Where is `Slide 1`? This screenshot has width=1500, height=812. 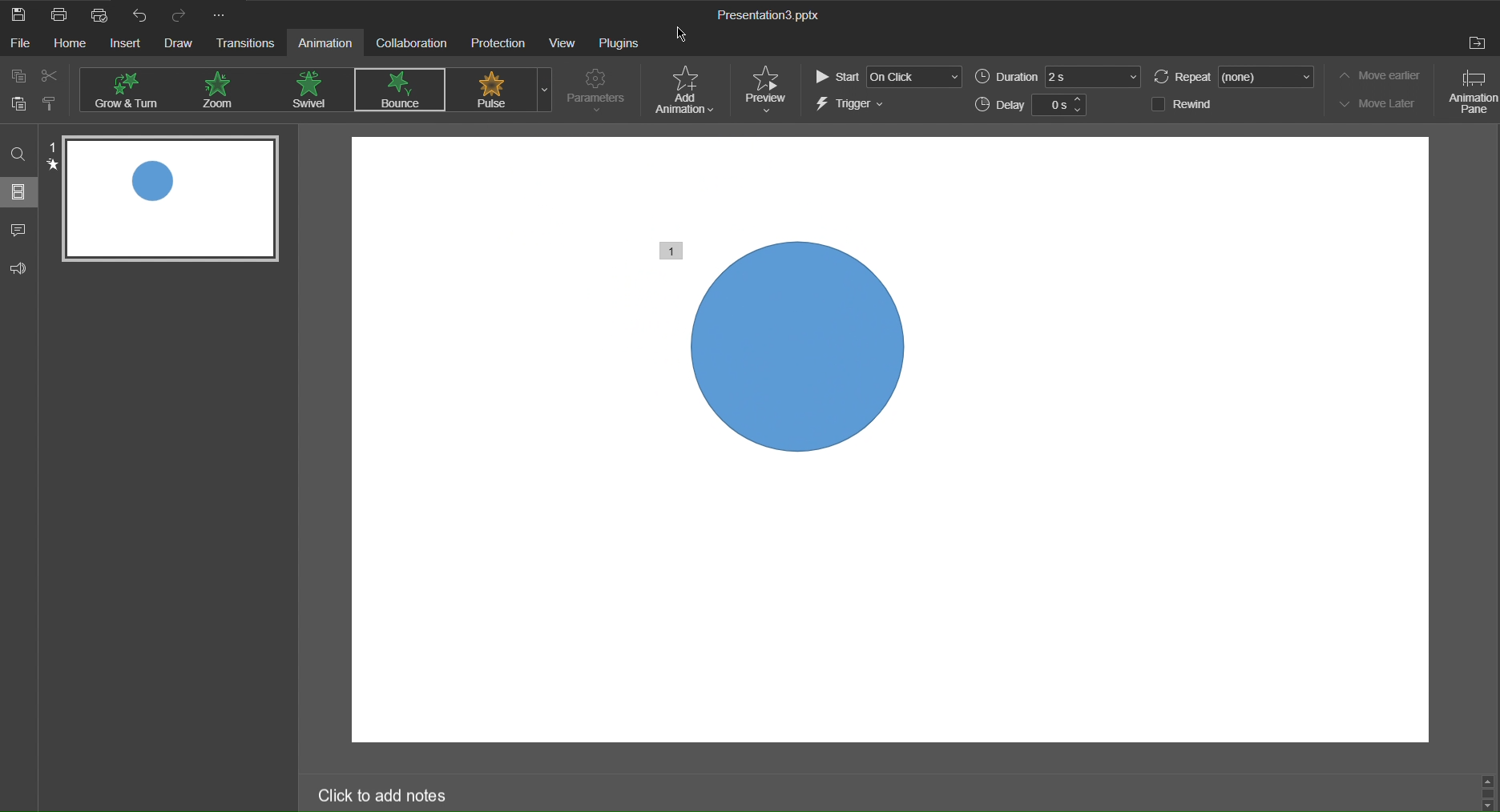 Slide 1 is located at coordinates (172, 201).